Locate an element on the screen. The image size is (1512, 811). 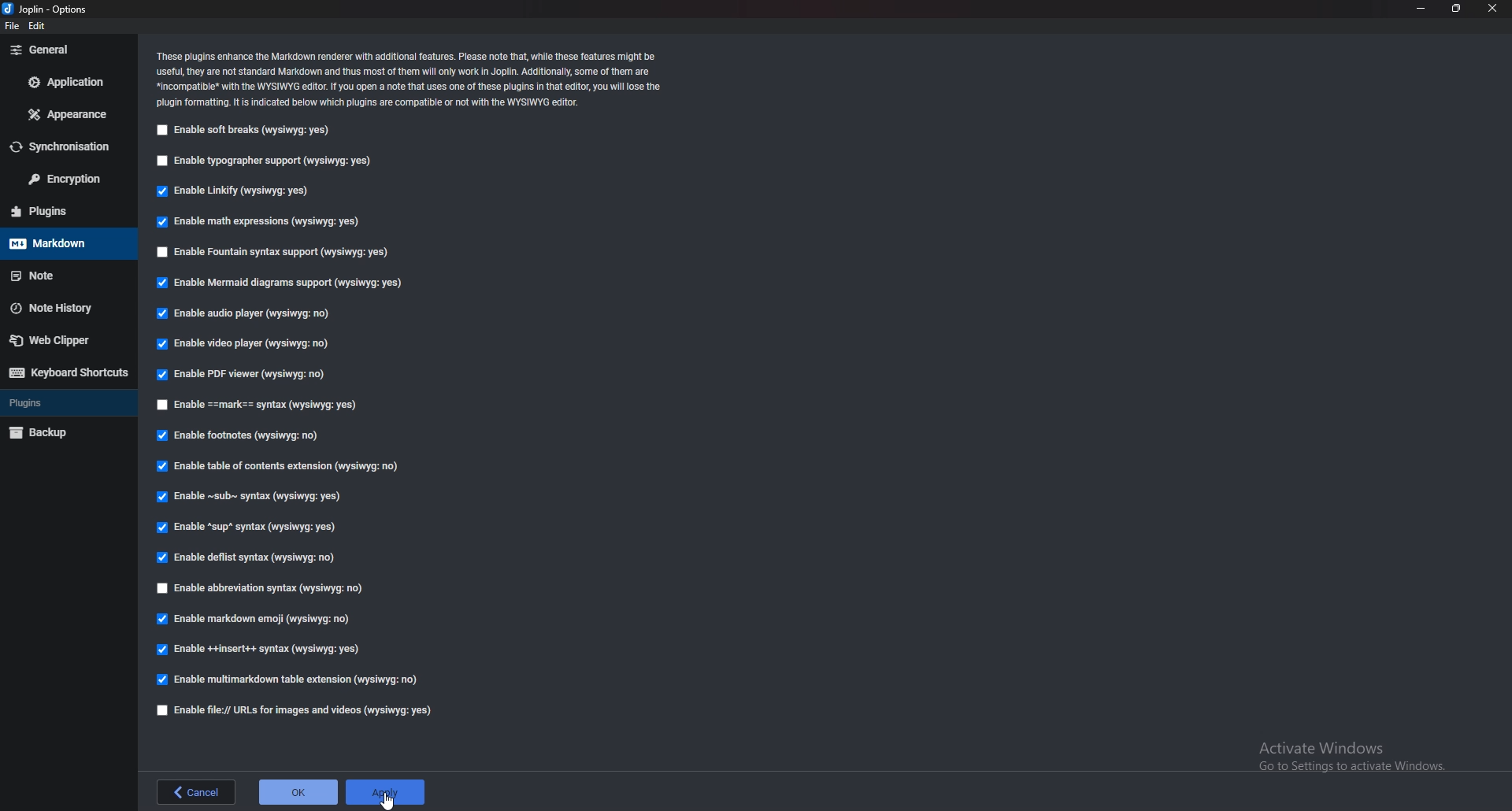
enable Sub Syntax is located at coordinates (258, 498).